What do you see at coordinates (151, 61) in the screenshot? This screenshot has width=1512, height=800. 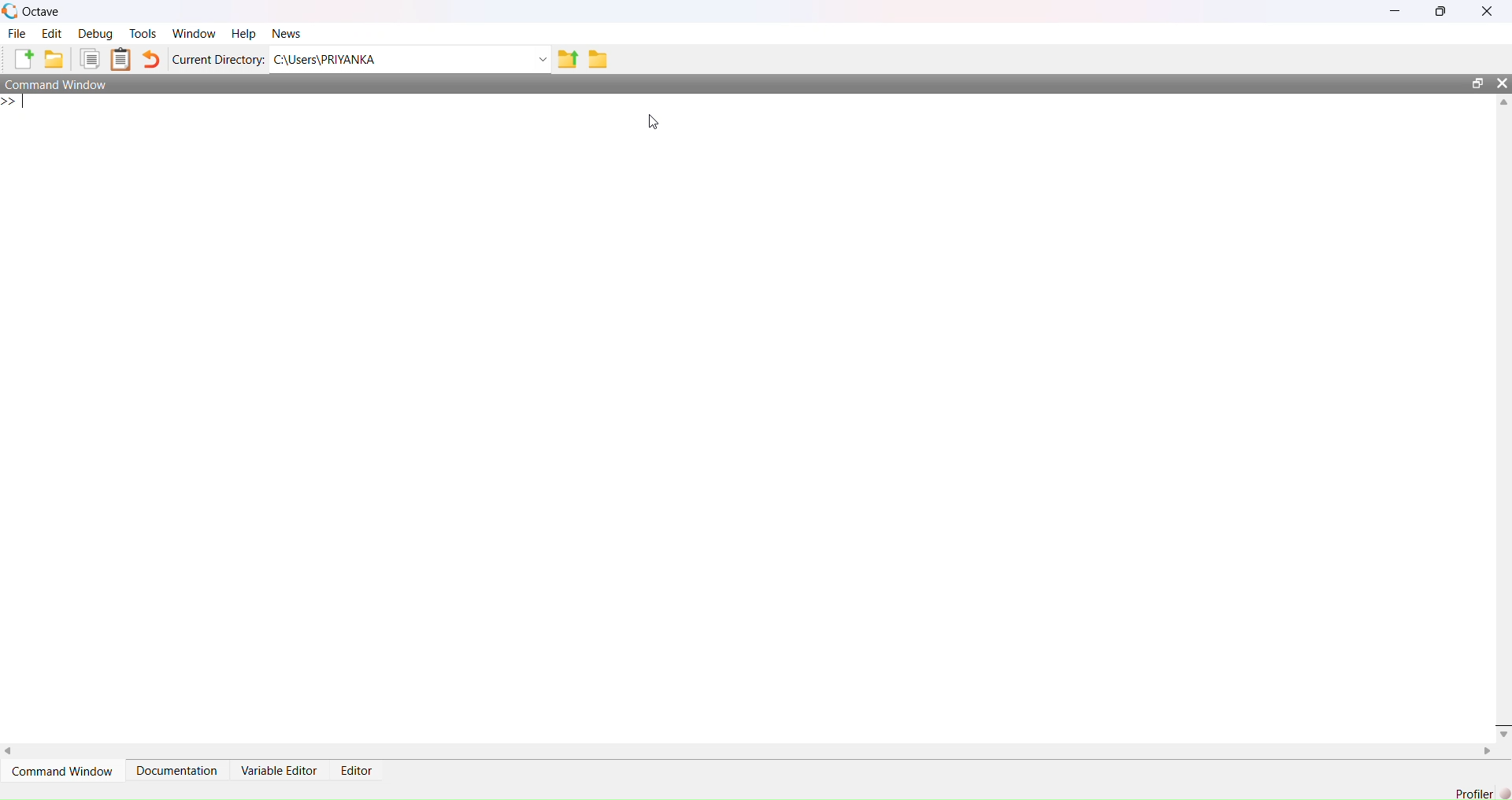 I see `Revert` at bounding box center [151, 61].